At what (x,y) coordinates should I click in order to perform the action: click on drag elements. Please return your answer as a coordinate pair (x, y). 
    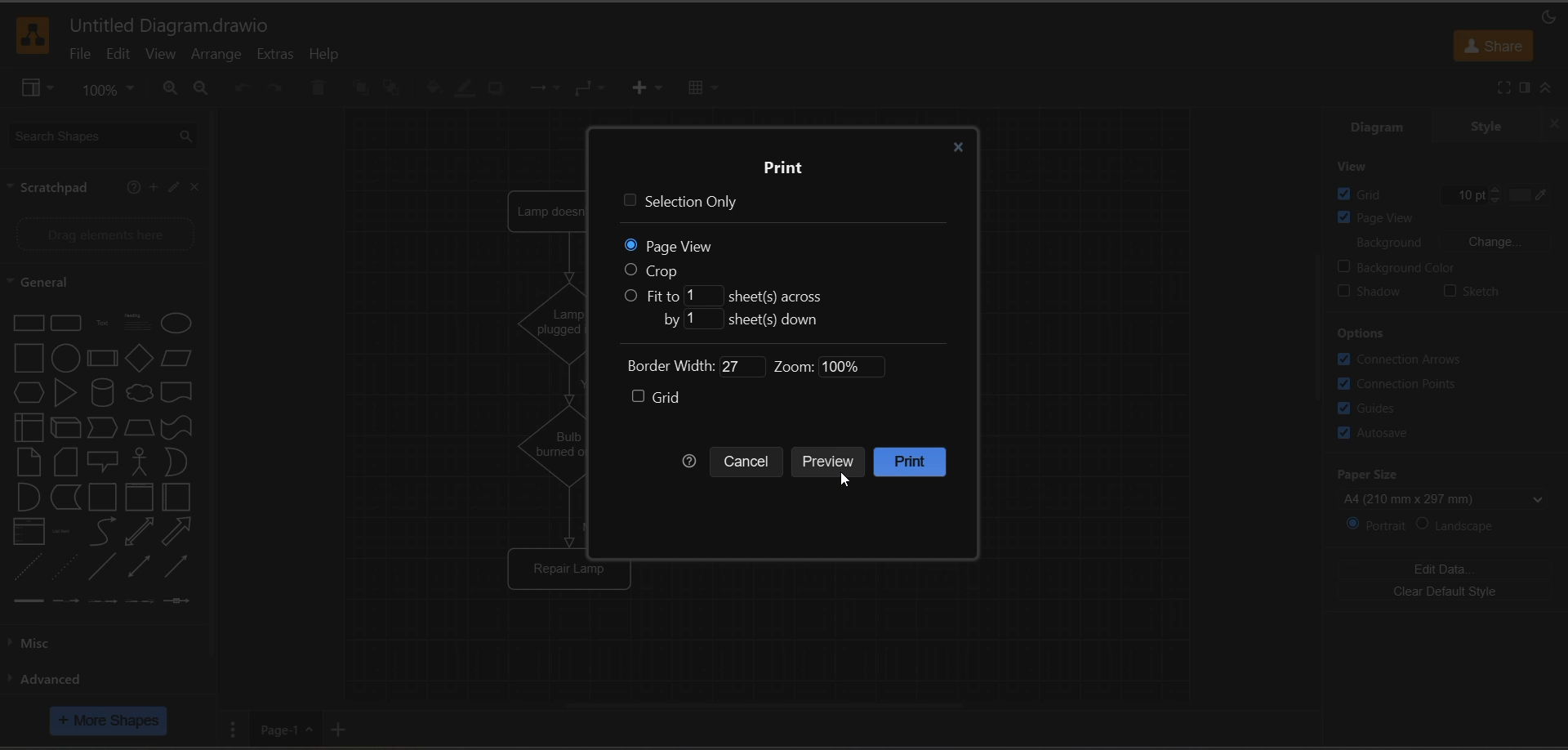
    Looking at the image, I should click on (101, 237).